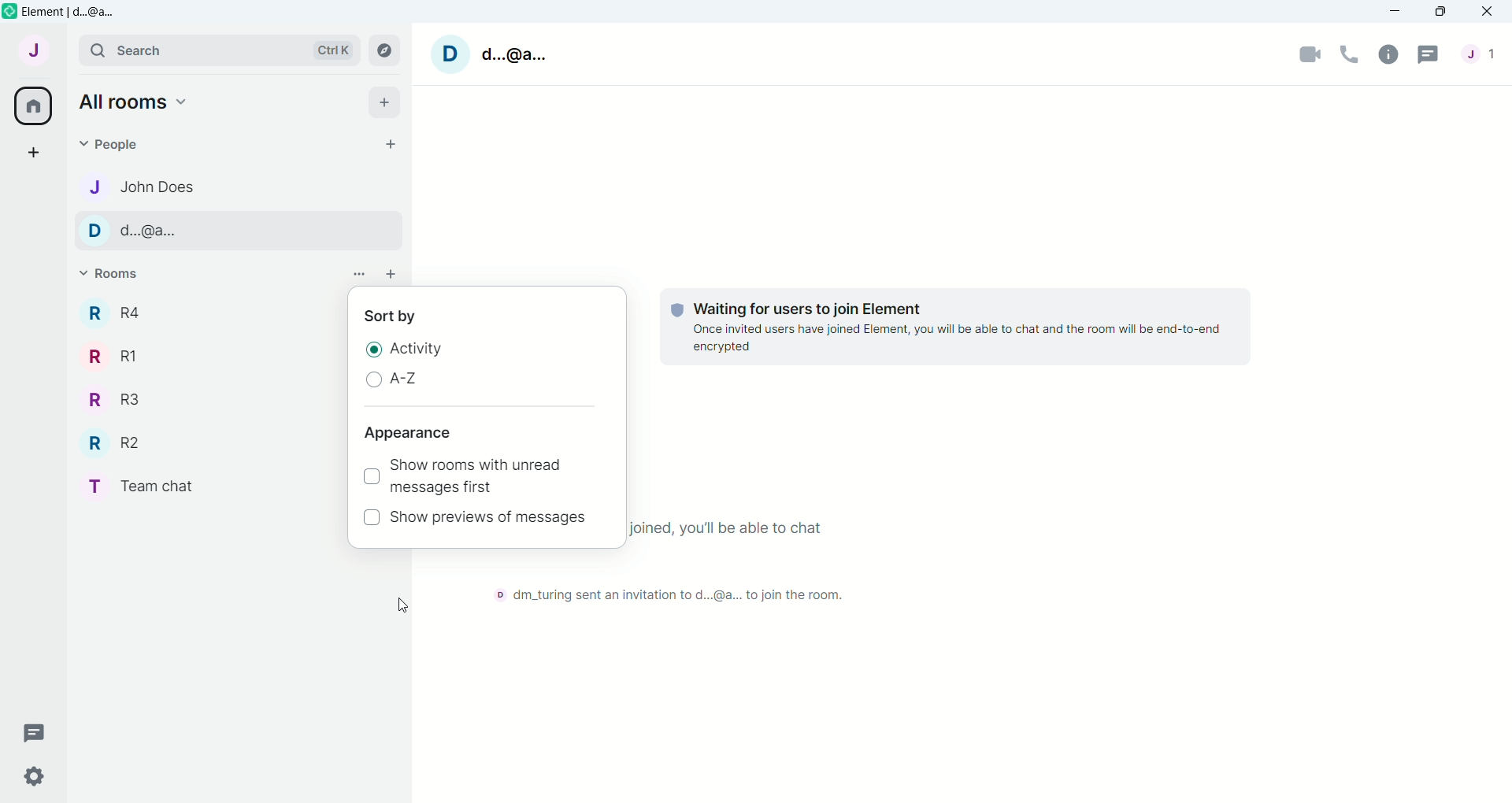 The width and height of the screenshot is (1512, 803). I want to click on A-Z, so click(408, 378).